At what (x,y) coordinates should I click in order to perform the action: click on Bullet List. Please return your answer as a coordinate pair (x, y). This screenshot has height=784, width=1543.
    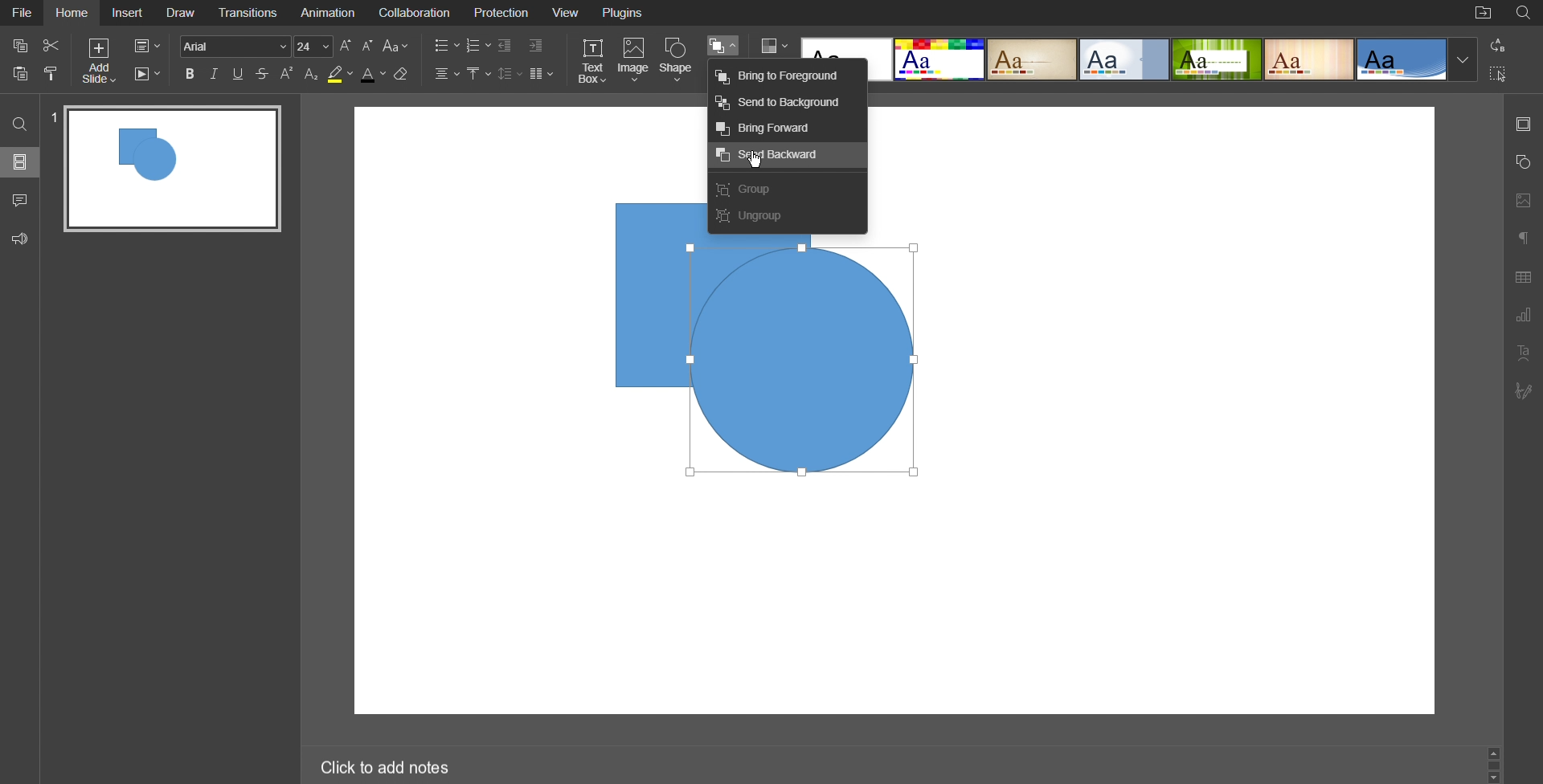
    Looking at the image, I should click on (446, 45).